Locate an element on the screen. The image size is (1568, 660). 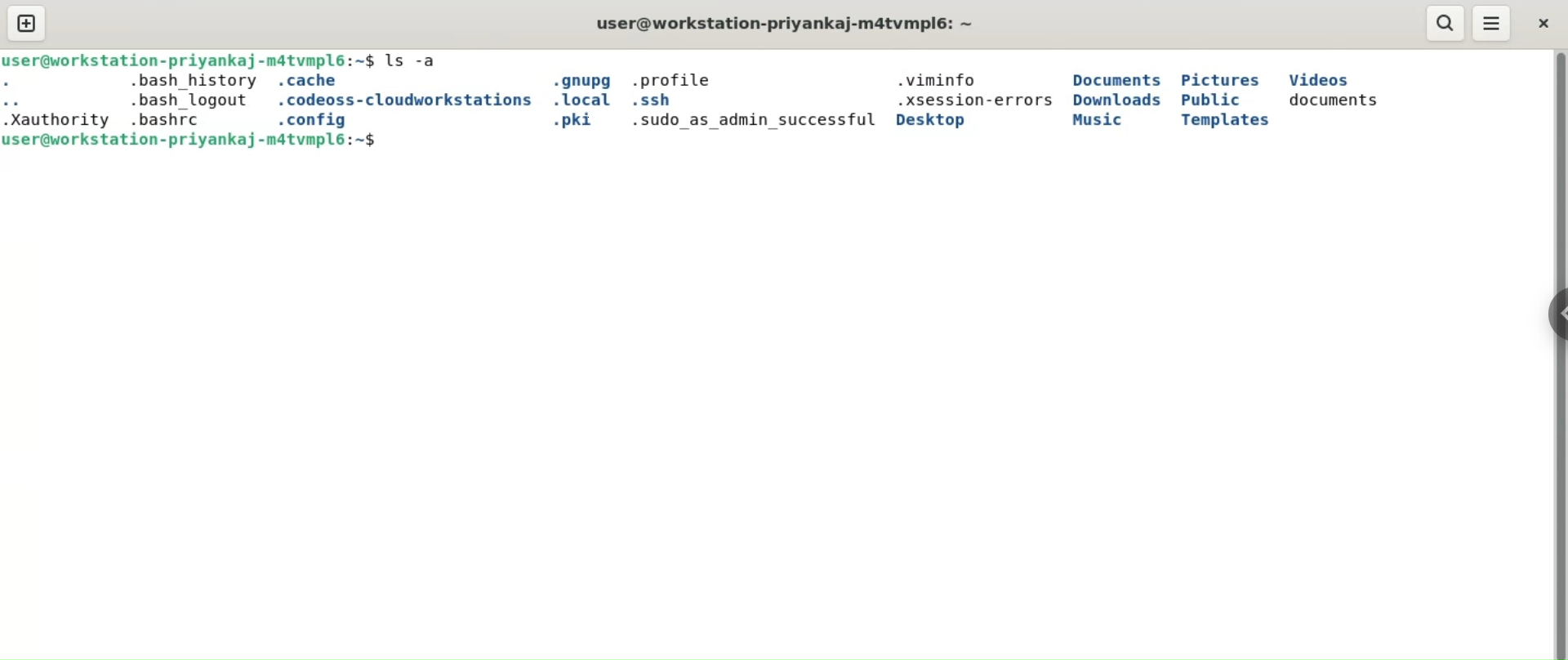
.sudo_as_admin_successful is located at coordinates (757, 120).